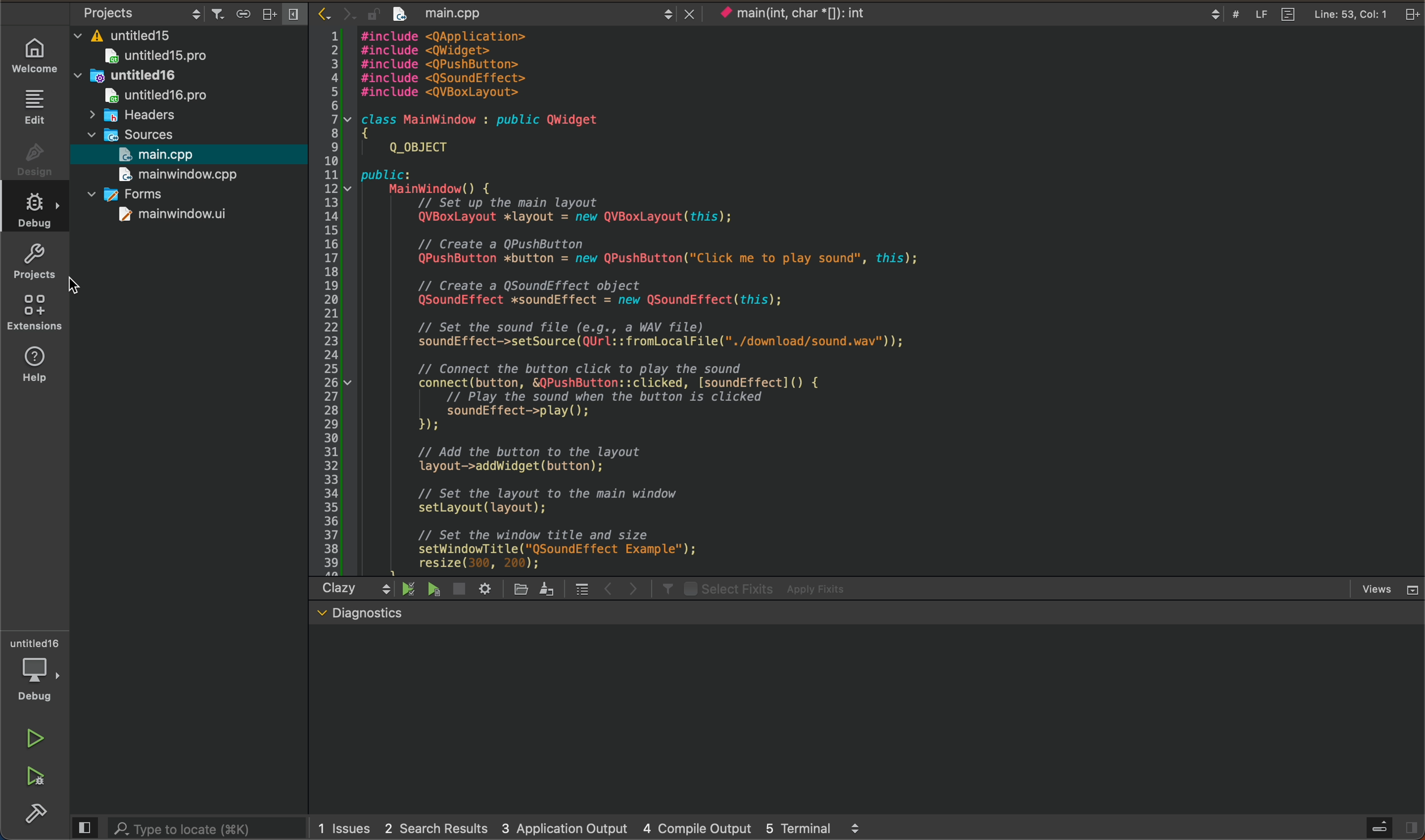  Describe the element at coordinates (1389, 589) in the screenshot. I see `close terminal` at that location.